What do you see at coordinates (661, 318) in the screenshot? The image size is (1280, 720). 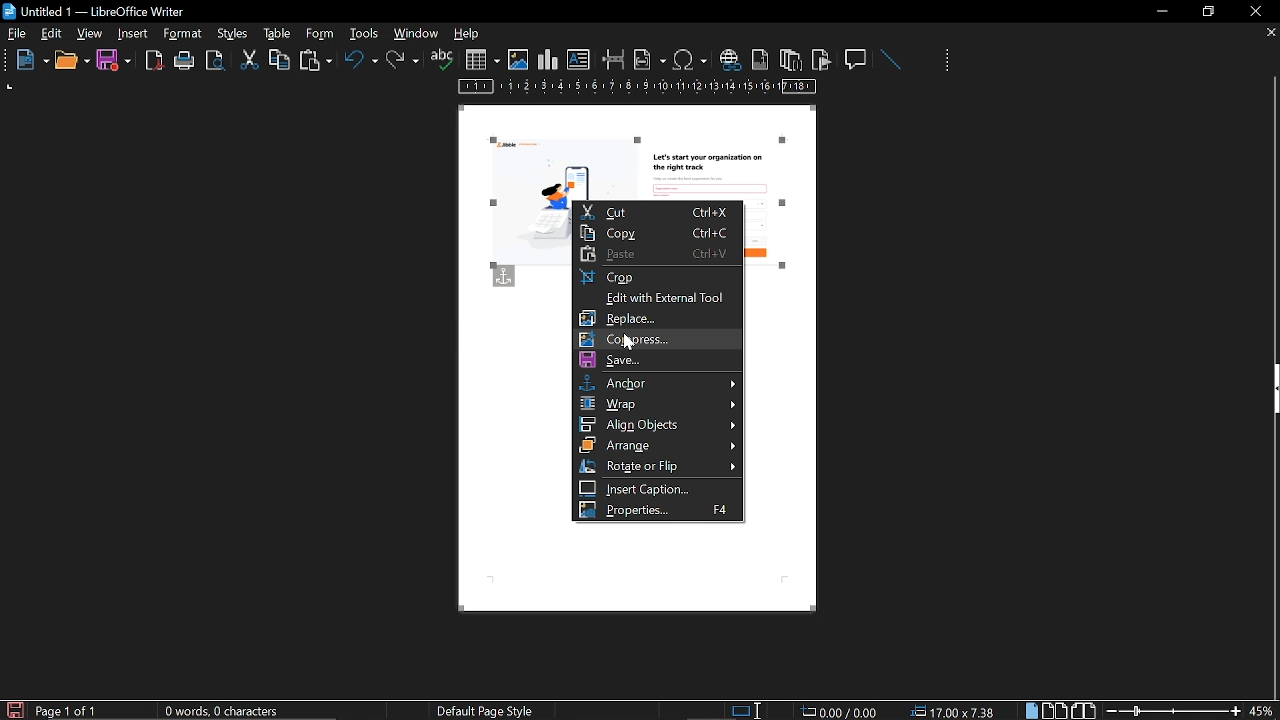 I see `replace` at bounding box center [661, 318].